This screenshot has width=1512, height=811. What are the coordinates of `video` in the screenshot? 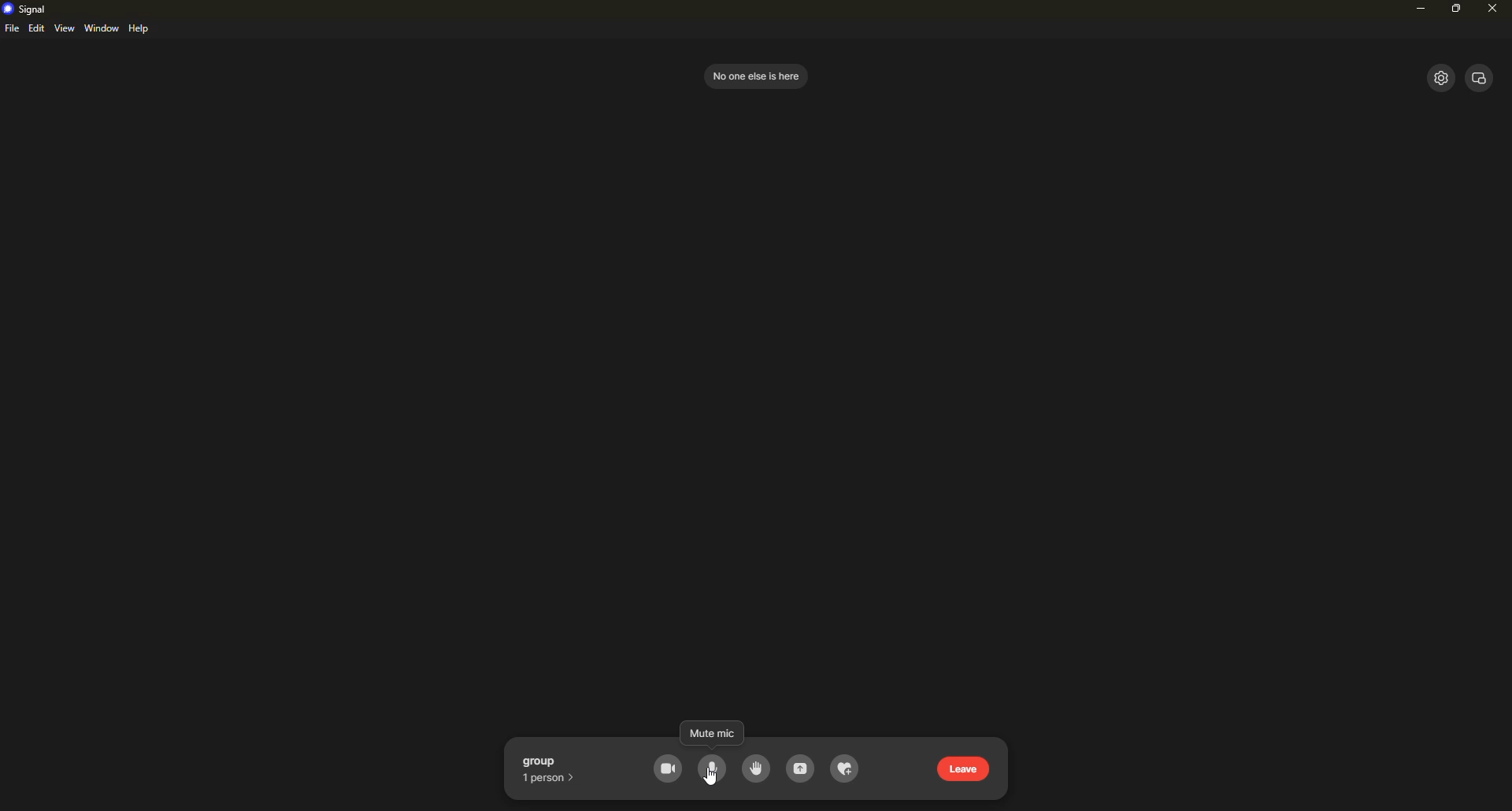 It's located at (669, 769).